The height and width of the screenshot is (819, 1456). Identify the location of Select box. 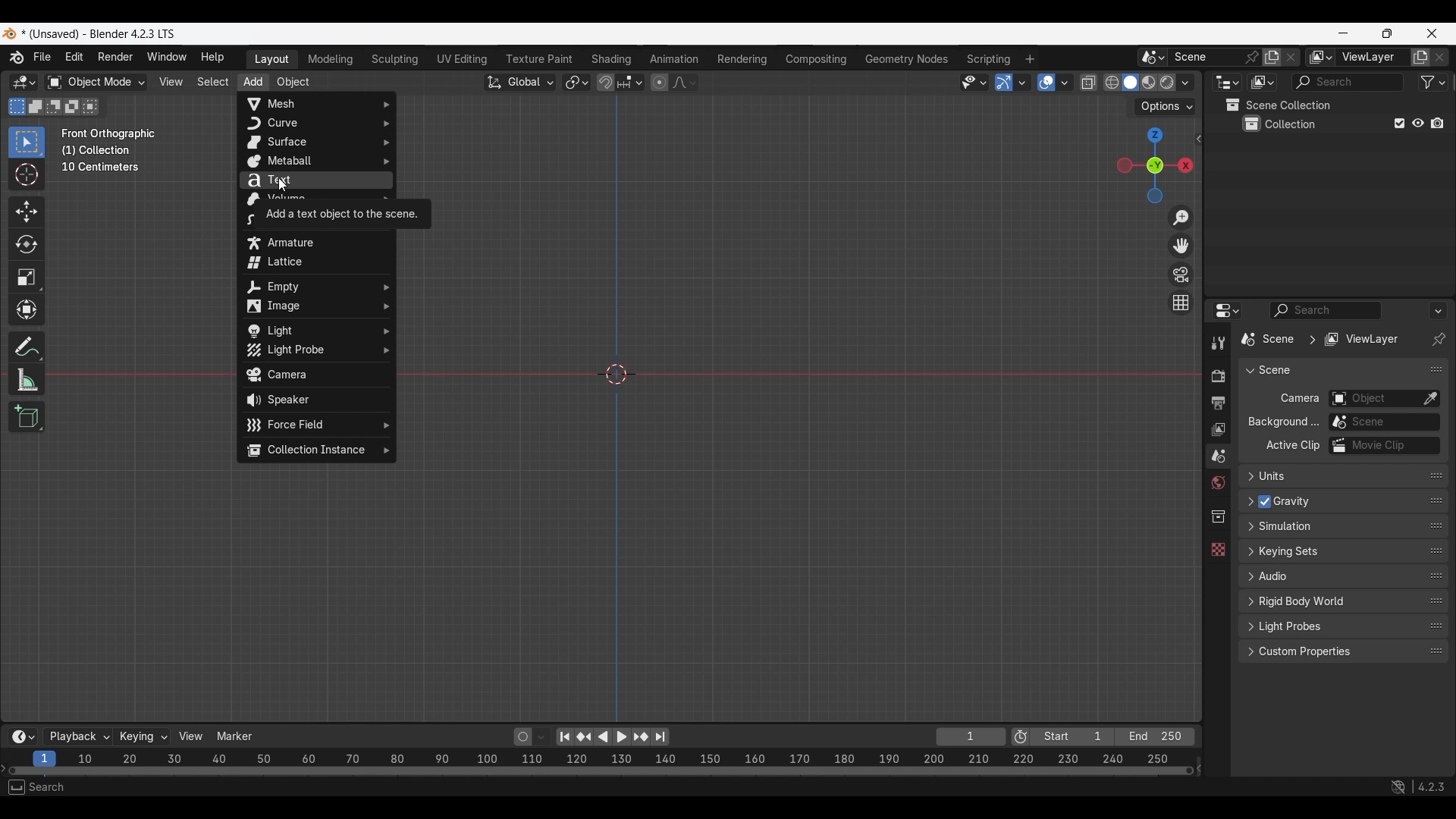
(27, 142).